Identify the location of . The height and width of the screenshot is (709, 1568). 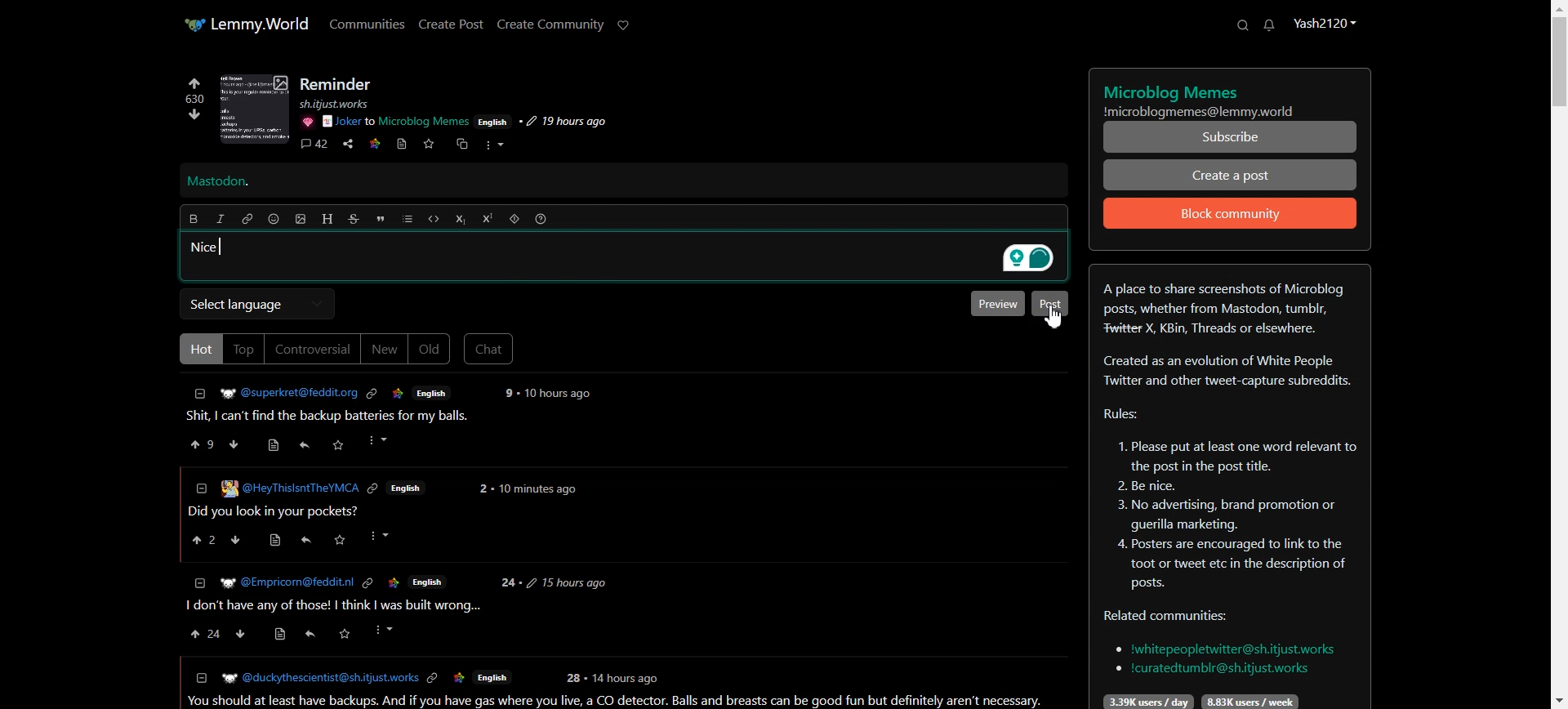
(396, 122).